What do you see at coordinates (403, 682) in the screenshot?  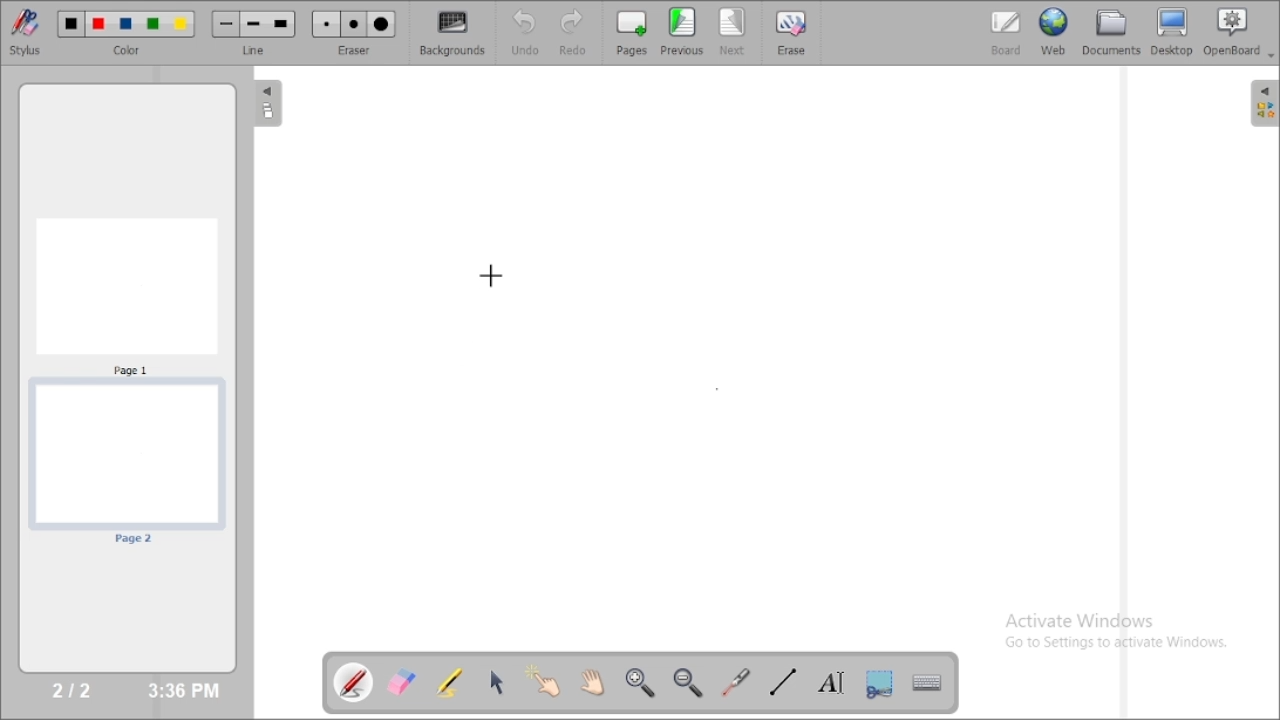 I see `erase annotation` at bounding box center [403, 682].